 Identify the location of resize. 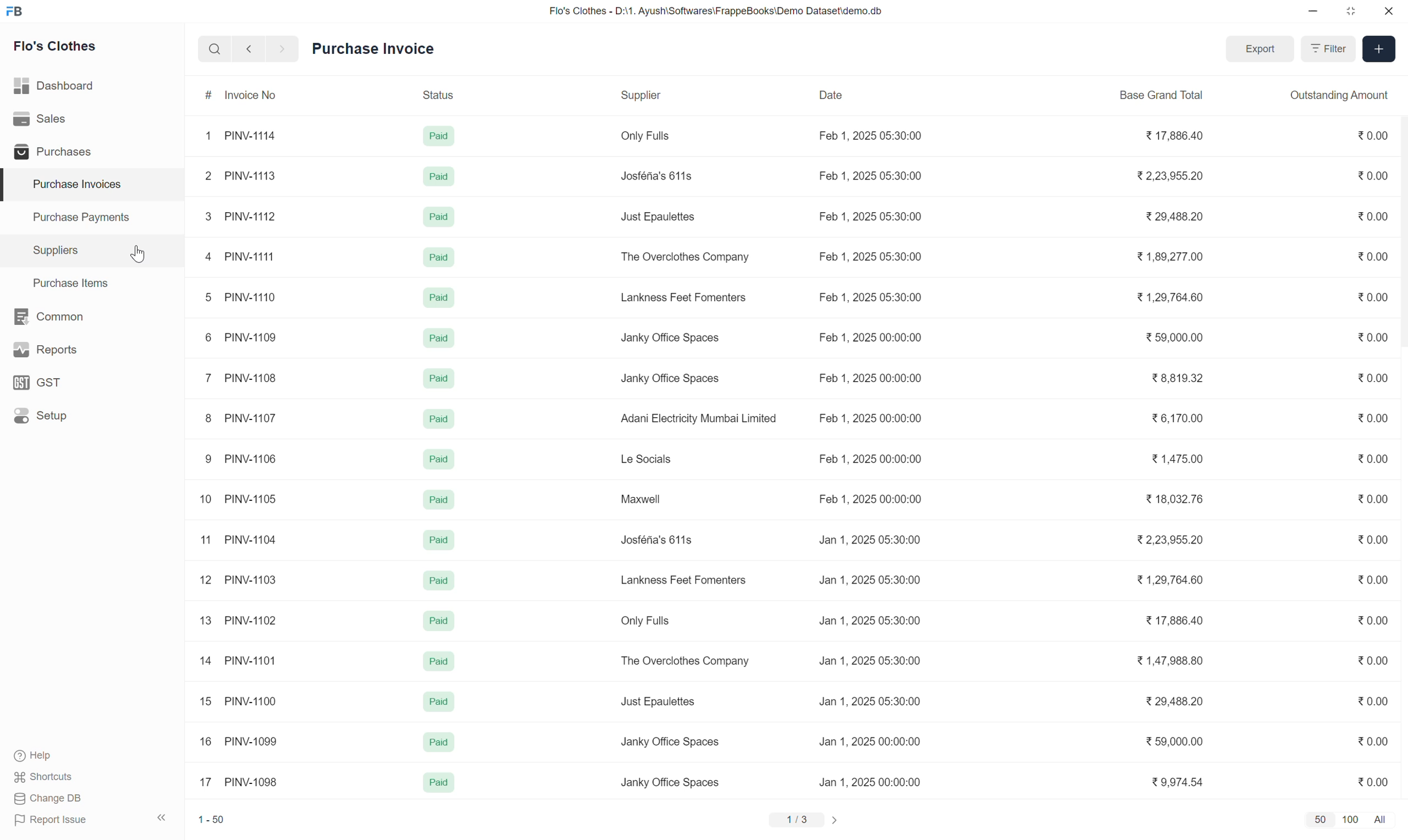
(1349, 11).